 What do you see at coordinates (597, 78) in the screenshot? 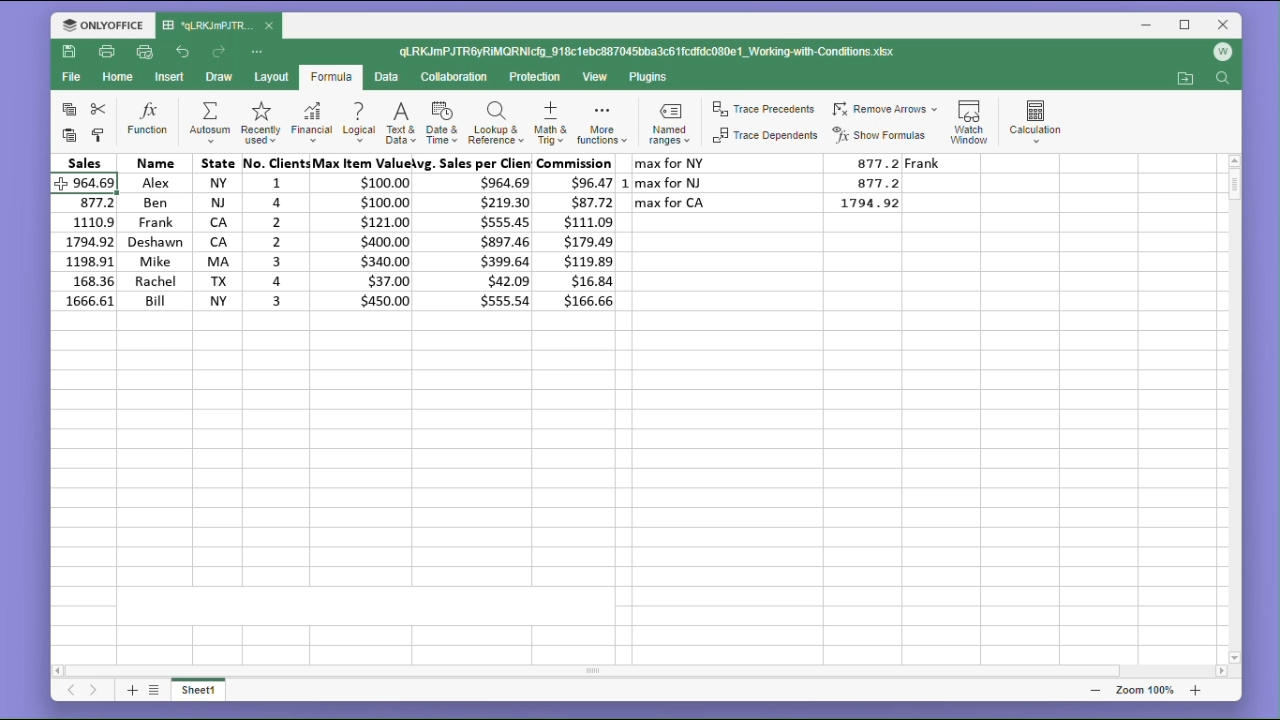
I see `view` at bounding box center [597, 78].